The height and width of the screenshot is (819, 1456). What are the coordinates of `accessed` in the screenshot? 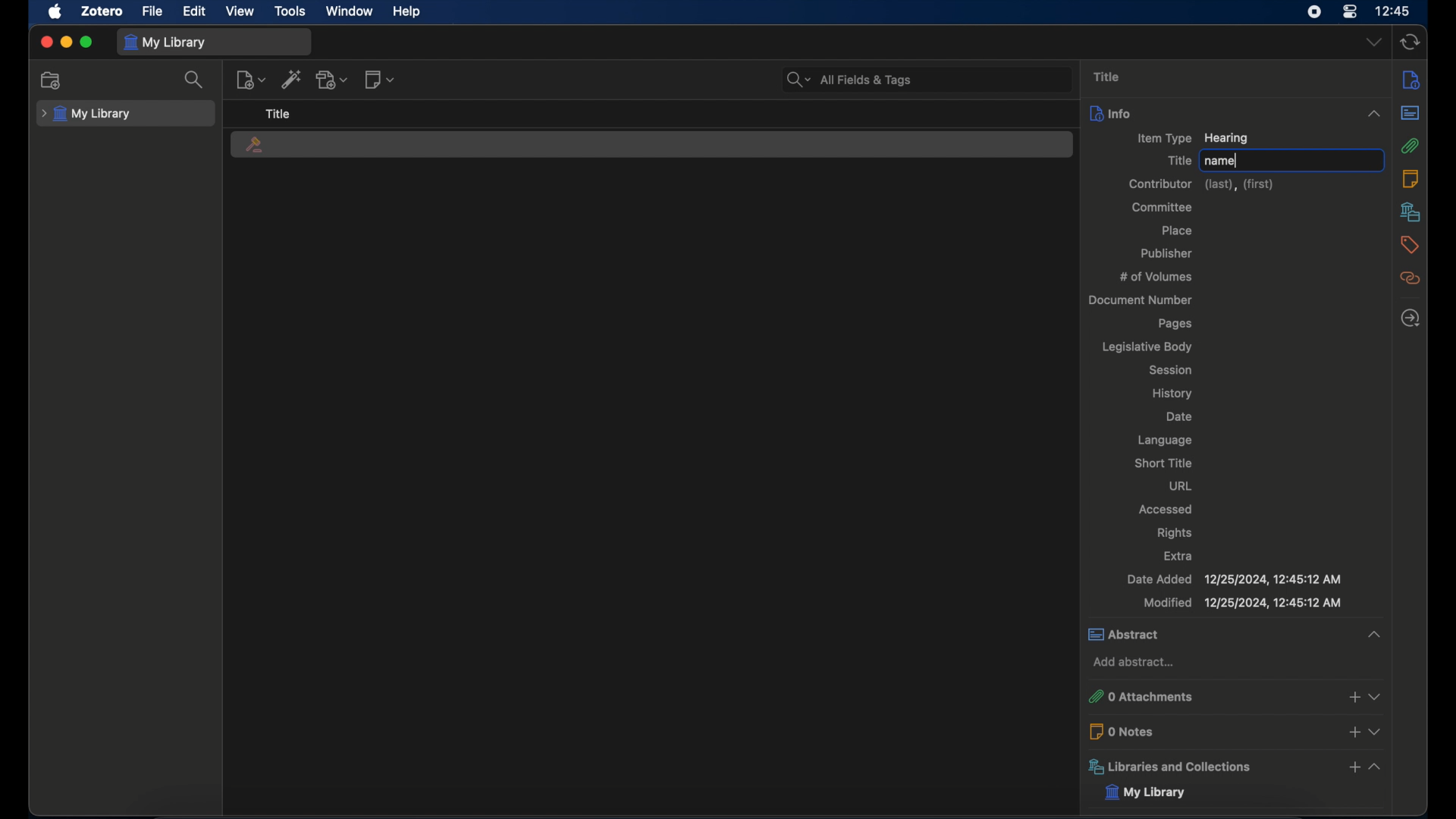 It's located at (1166, 510).